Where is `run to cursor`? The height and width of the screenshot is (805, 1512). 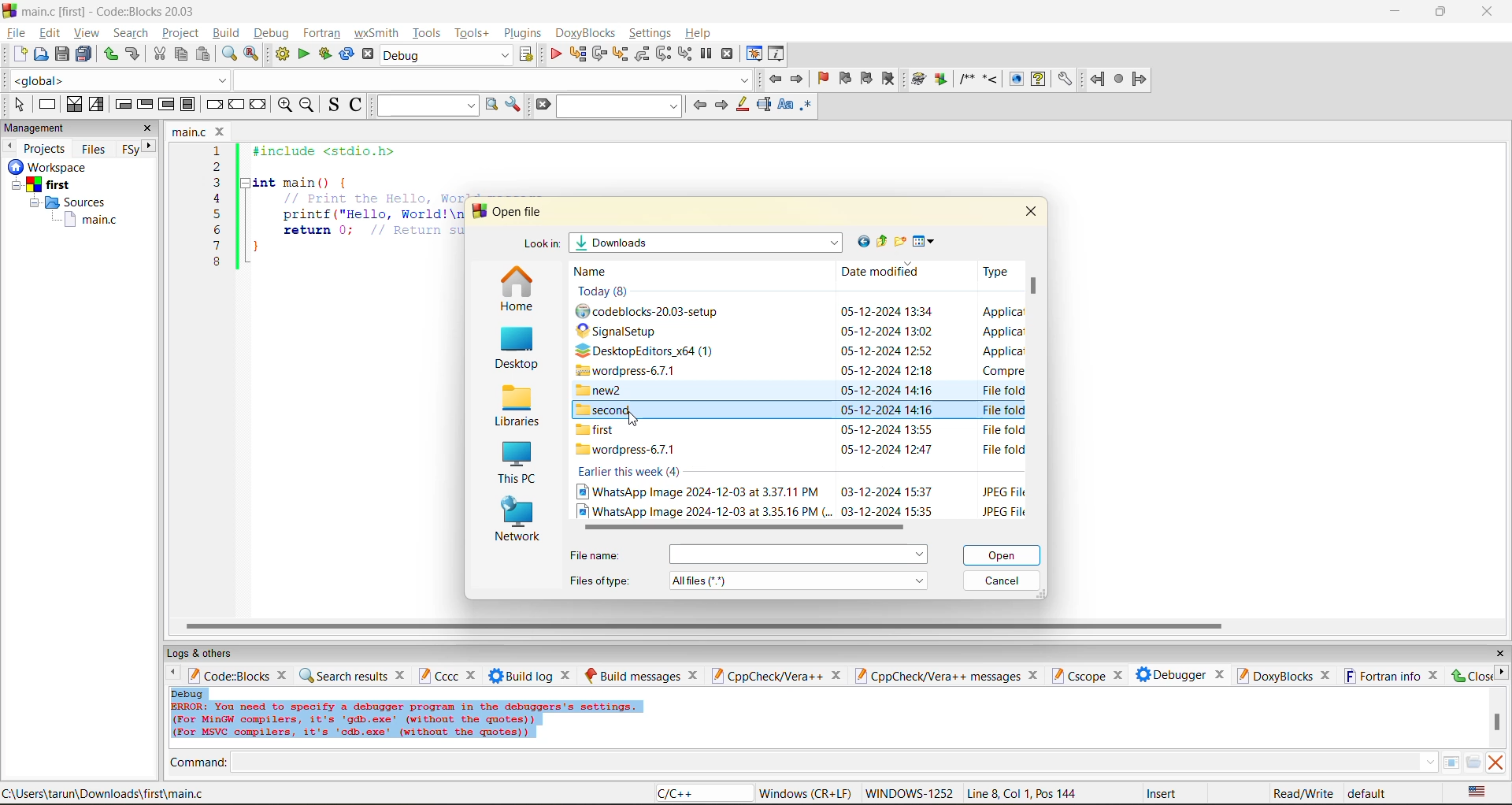
run to cursor is located at coordinates (576, 54).